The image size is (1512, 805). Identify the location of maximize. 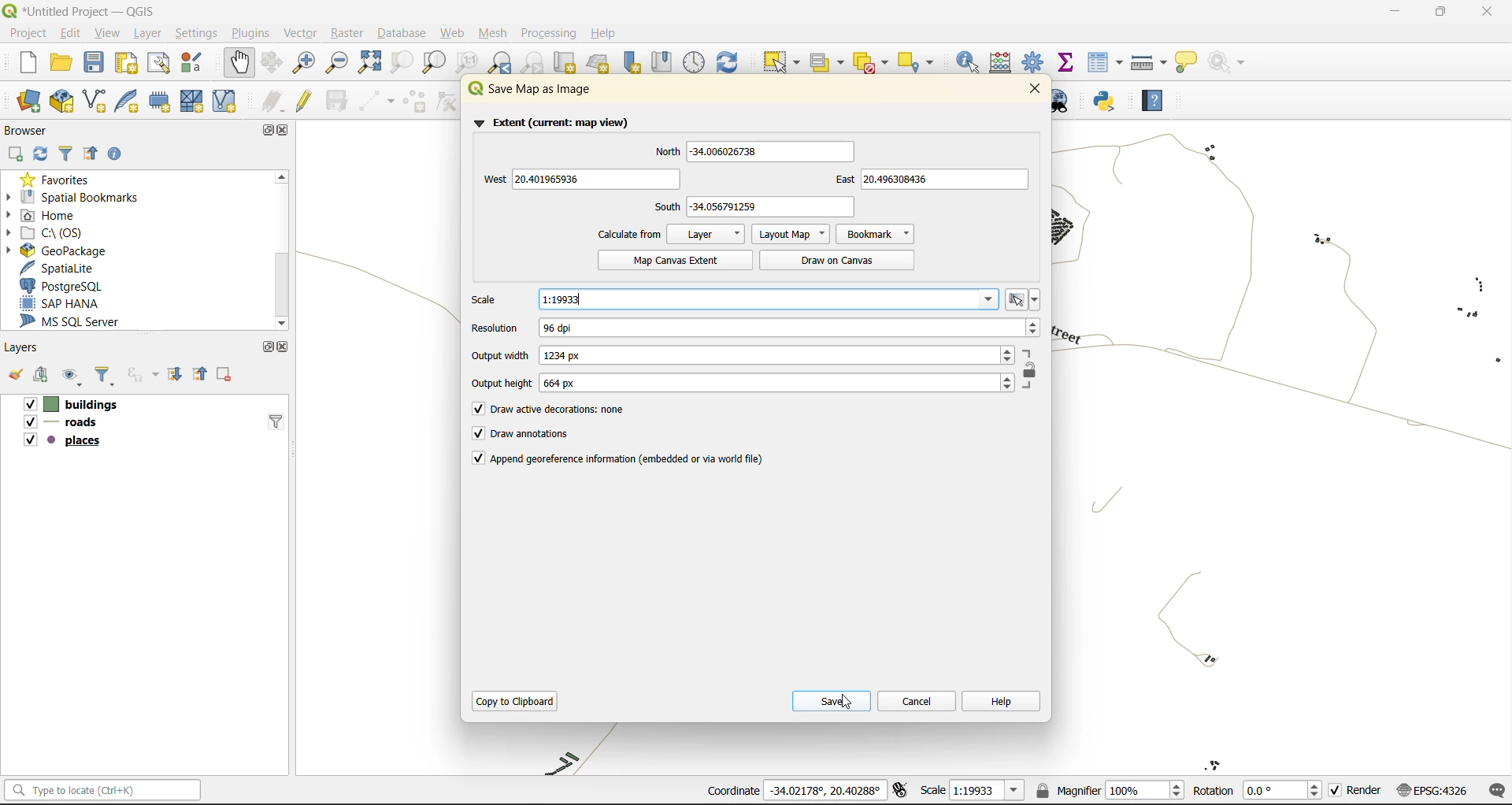
(265, 130).